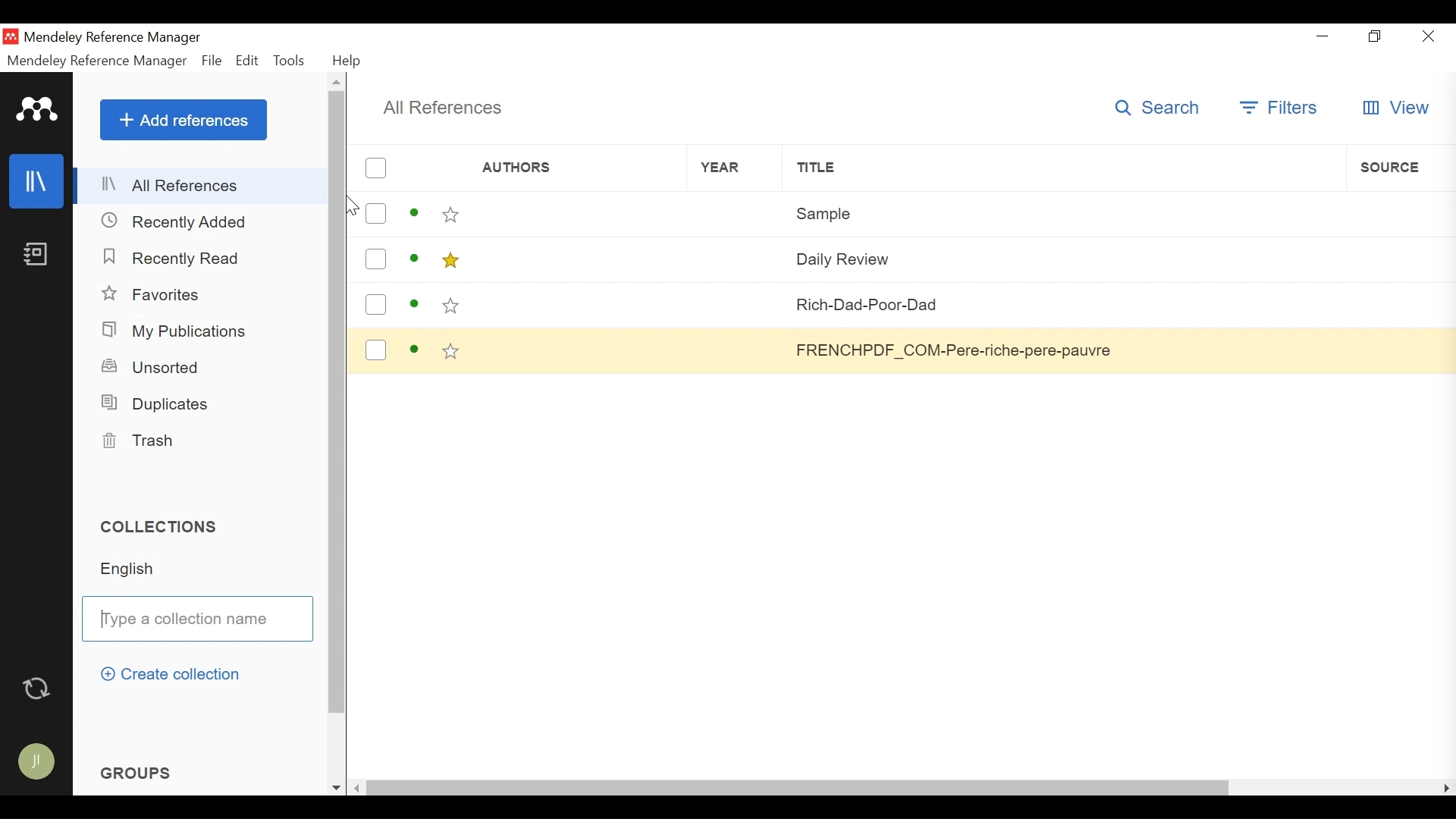  Describe the element at coordinates (449, 261) in the screenshot. I see `Toggle favorites` at that location.